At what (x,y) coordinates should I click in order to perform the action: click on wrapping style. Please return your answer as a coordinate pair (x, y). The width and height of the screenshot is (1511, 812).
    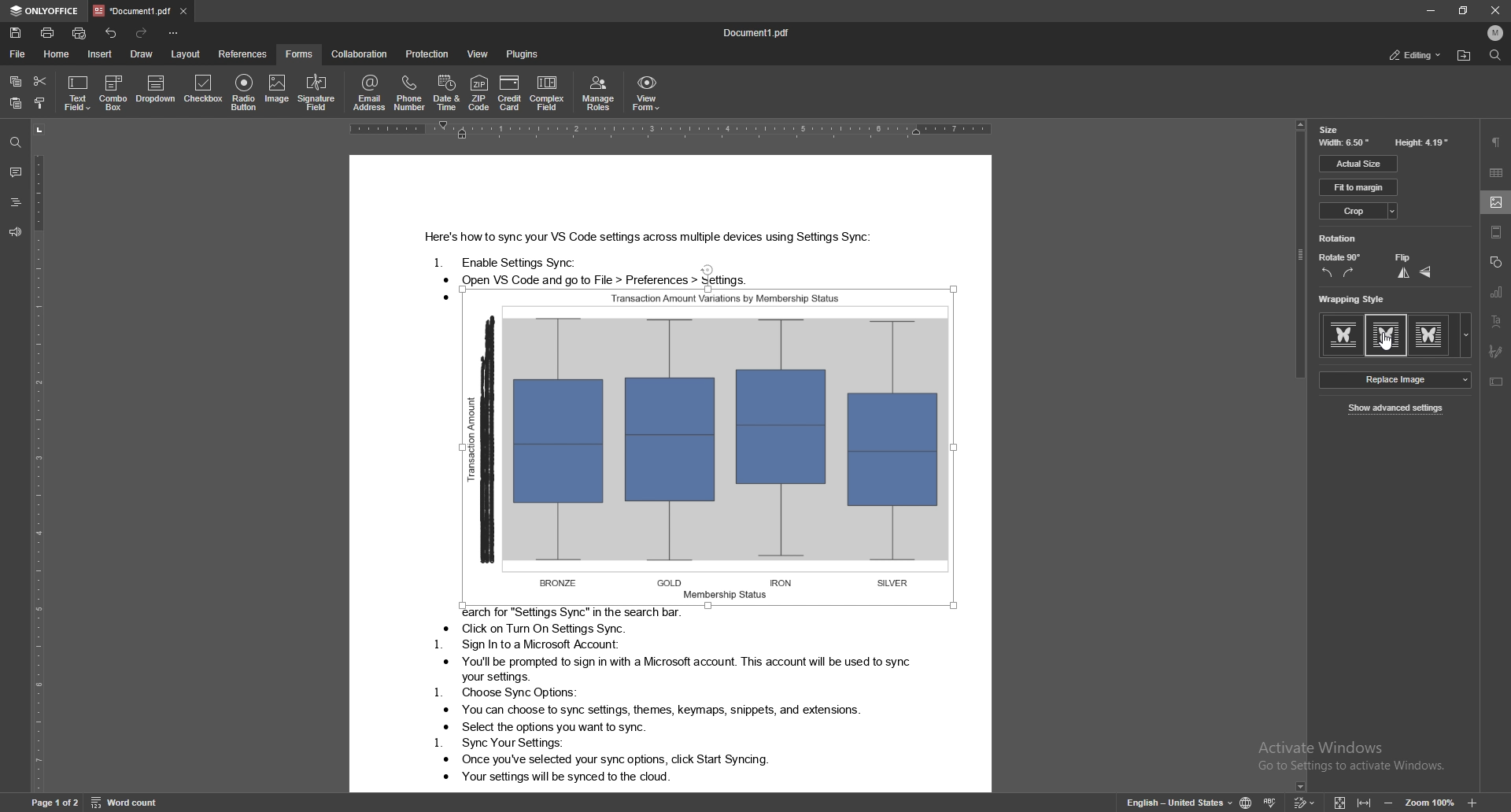
    Looking at the image, I should click on (1354, 298).